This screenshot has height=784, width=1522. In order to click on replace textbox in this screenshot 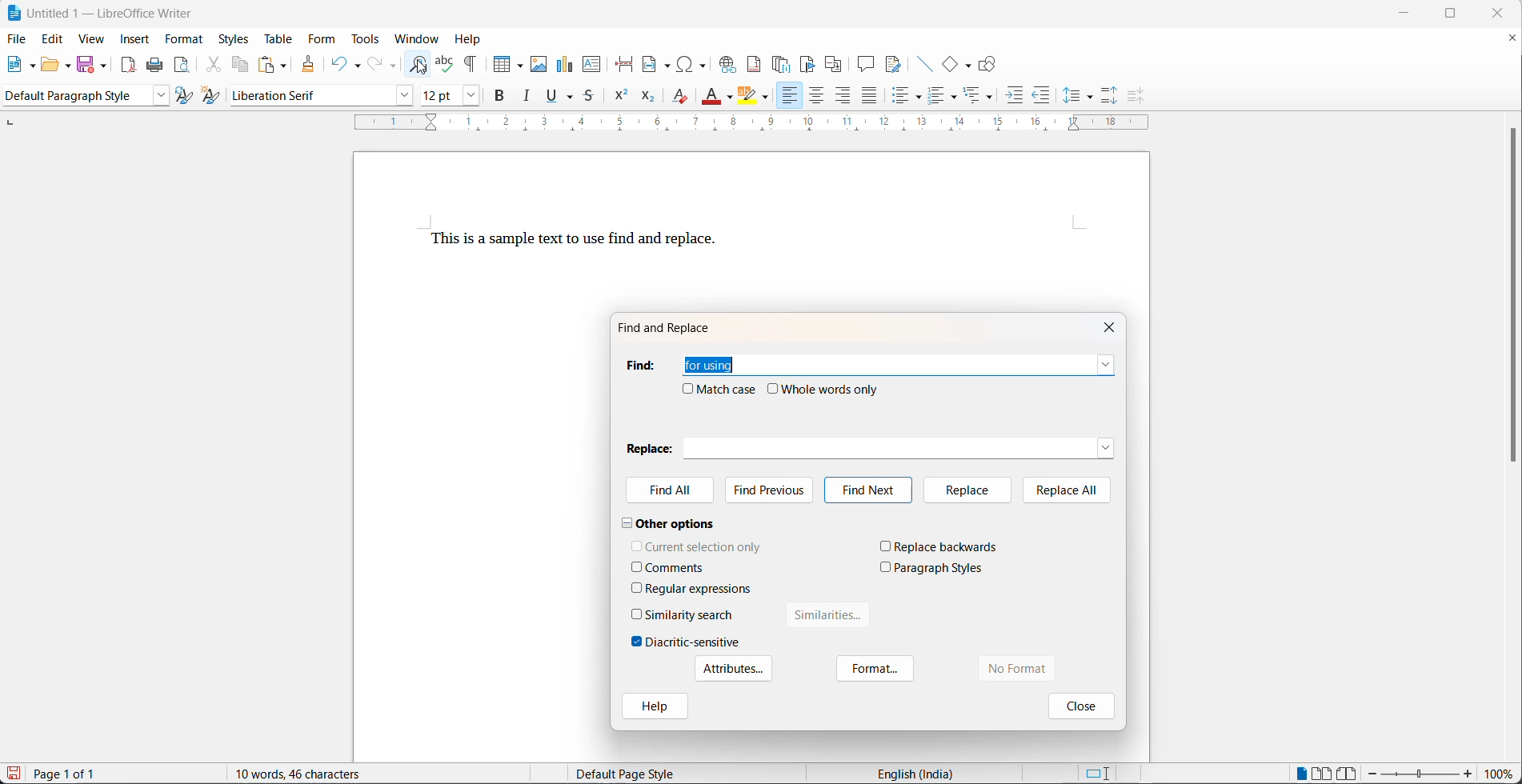, I will do `click(888, 445)`.